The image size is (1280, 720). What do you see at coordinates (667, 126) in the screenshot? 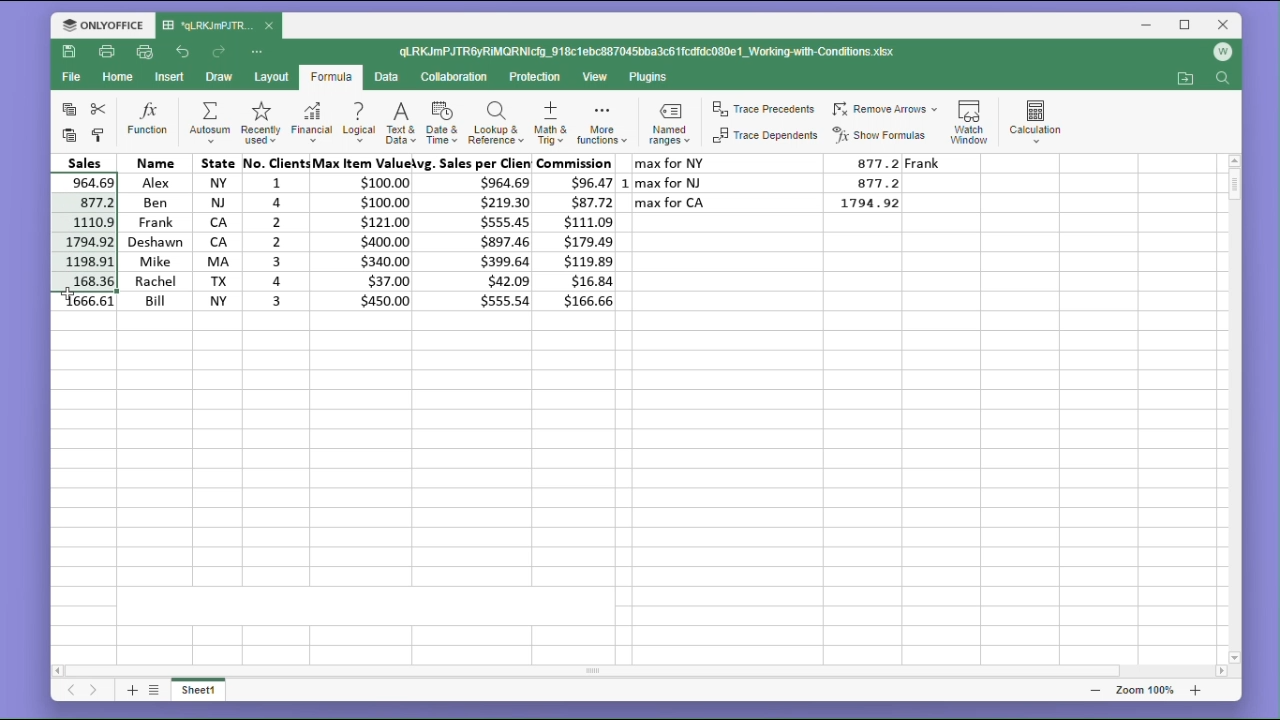
I see `named ranges` at bounding box center [667, 126].